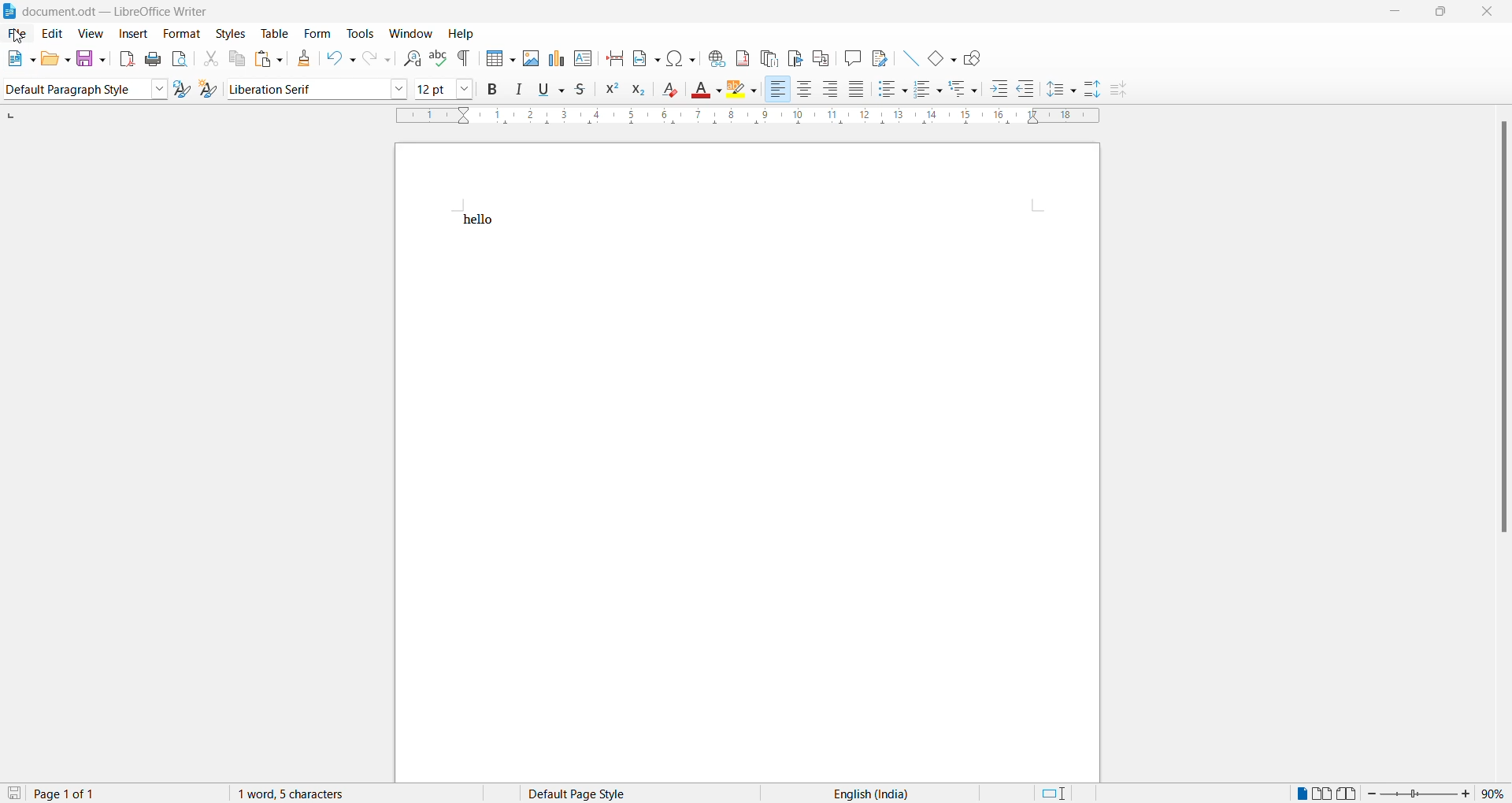  I want to click on Zoom slider, so click(1419, 794).